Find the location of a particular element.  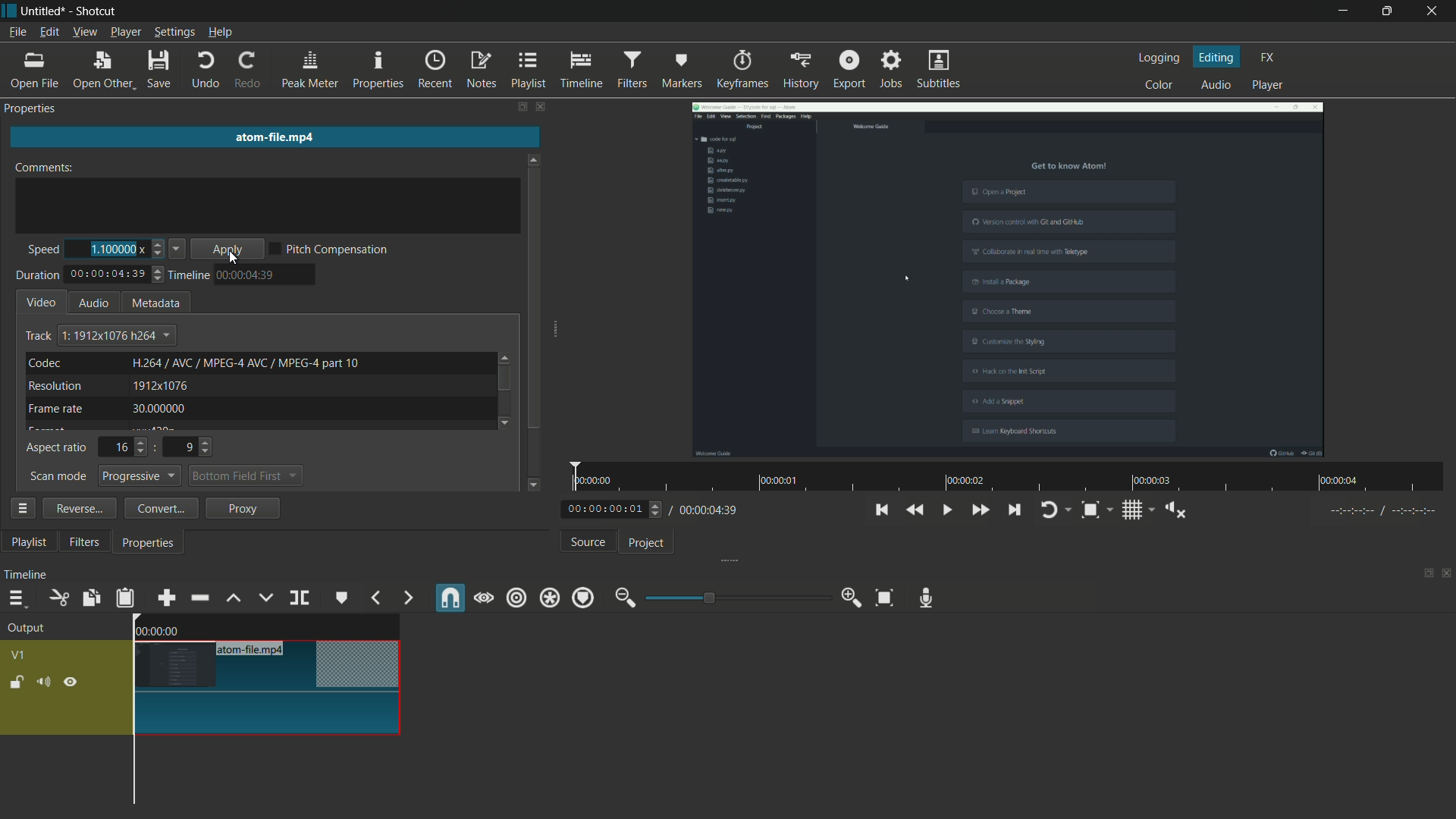

help menu is located at coordinates (219, 34).